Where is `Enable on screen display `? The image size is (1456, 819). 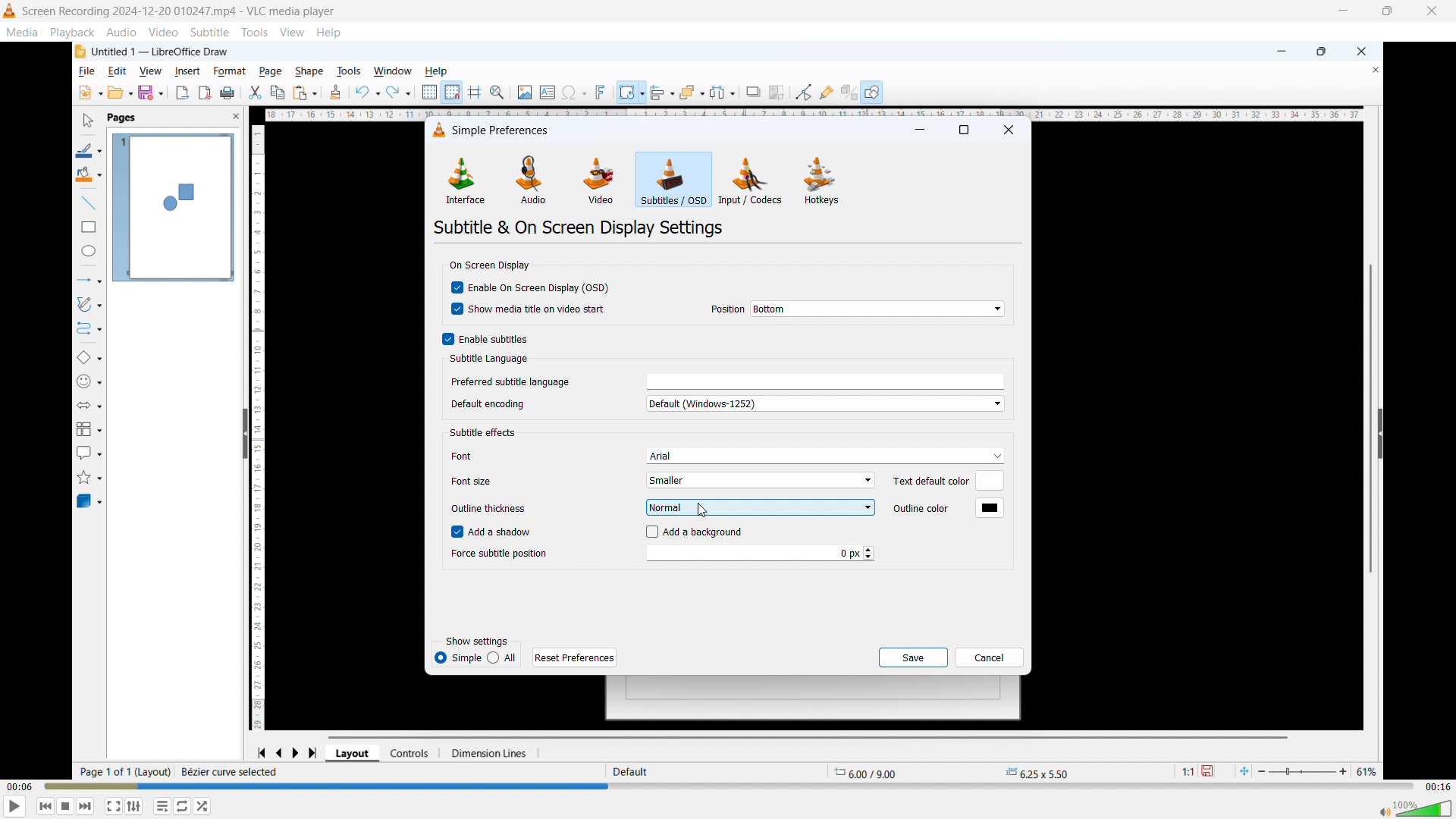 Enable on screen display  is located at coordinates (529, 287).